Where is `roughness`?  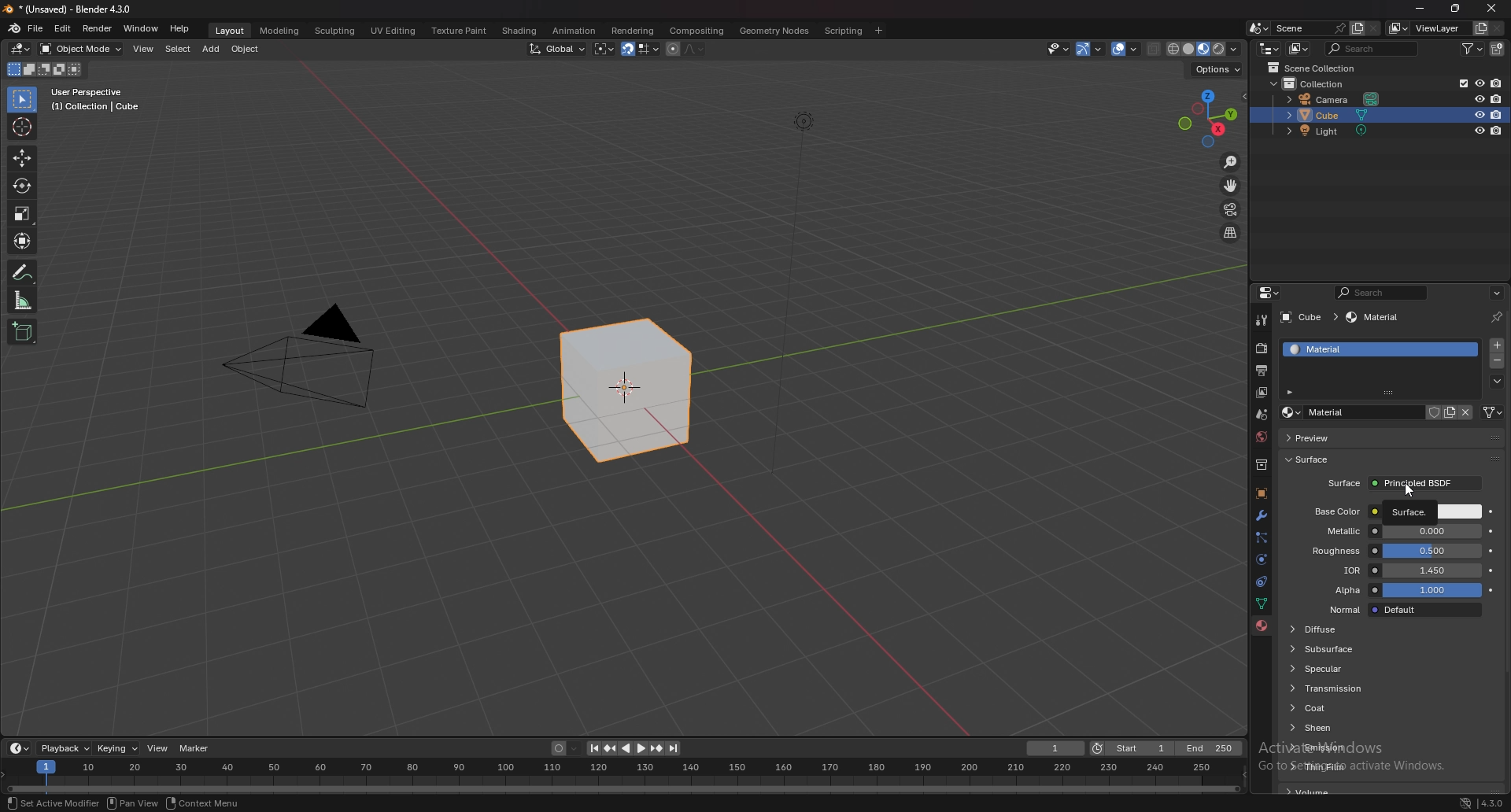 roughness is located at coordinates (1395, 551).